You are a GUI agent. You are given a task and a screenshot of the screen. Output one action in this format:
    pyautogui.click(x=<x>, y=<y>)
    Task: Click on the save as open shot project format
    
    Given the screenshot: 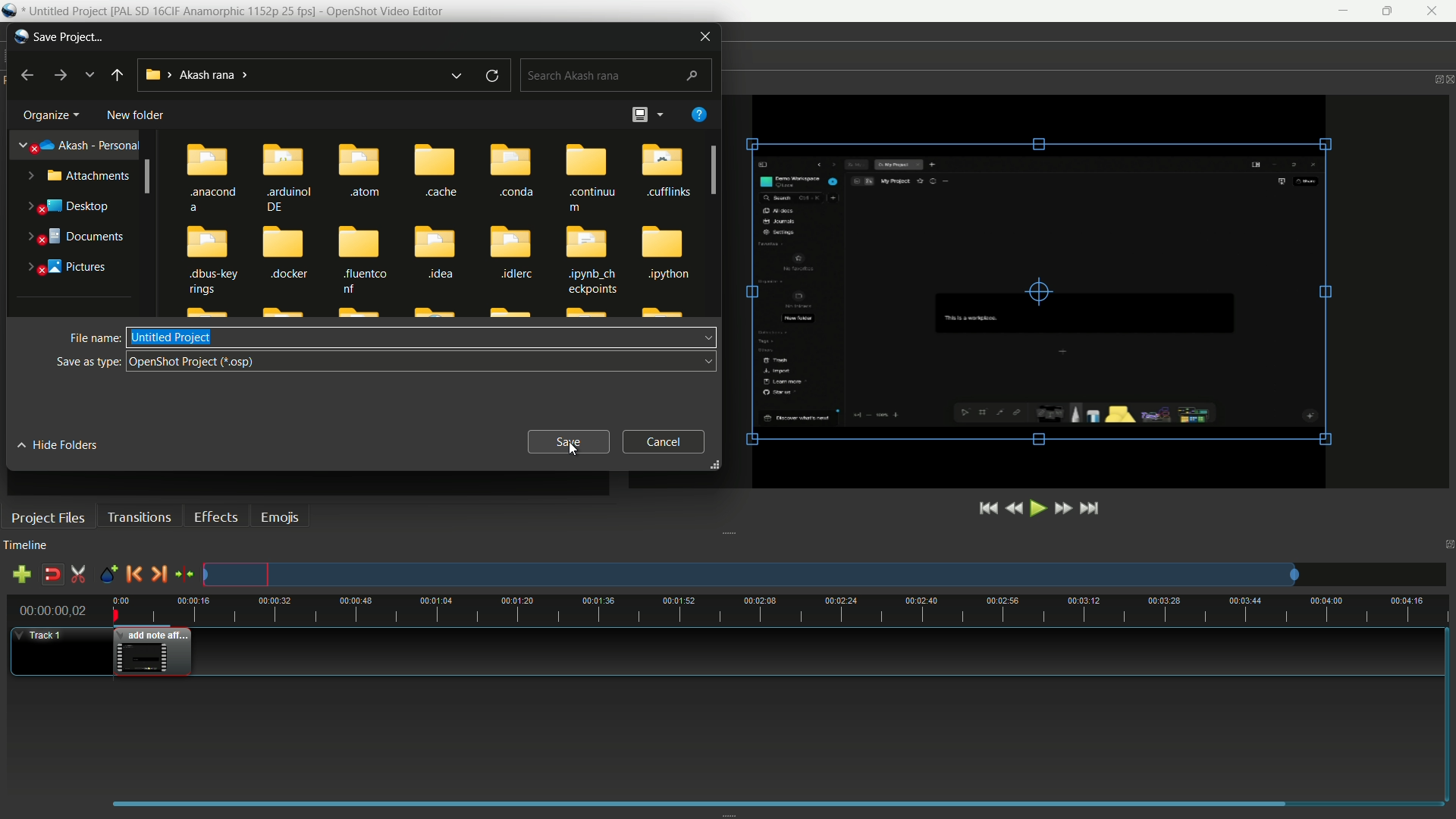 What is the action you would take?
    pyautogui.click(x=193, y=360)
    